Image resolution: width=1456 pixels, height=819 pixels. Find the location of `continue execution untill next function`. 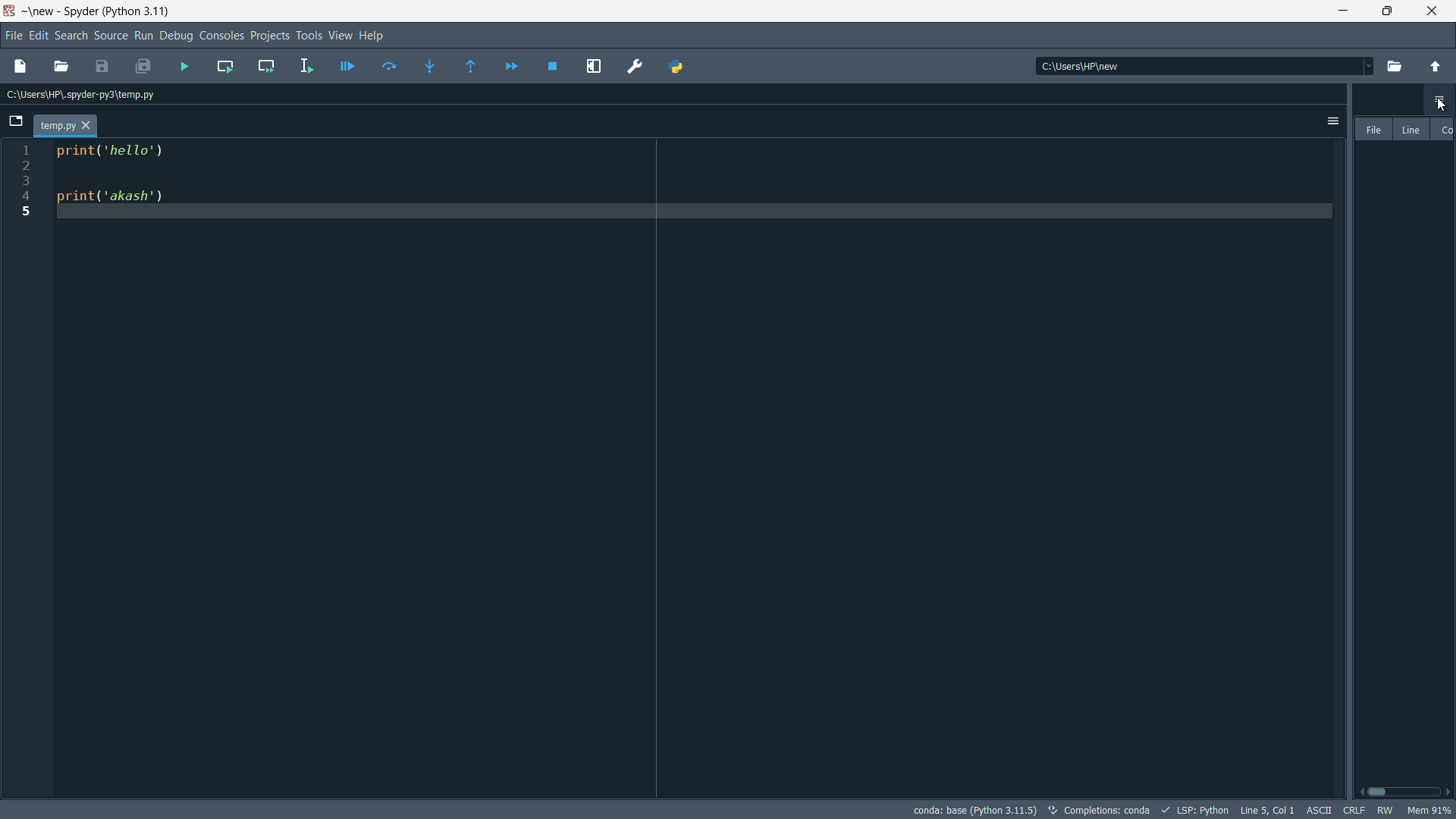

continue execution untill next function is located at coordinates (508, 65).